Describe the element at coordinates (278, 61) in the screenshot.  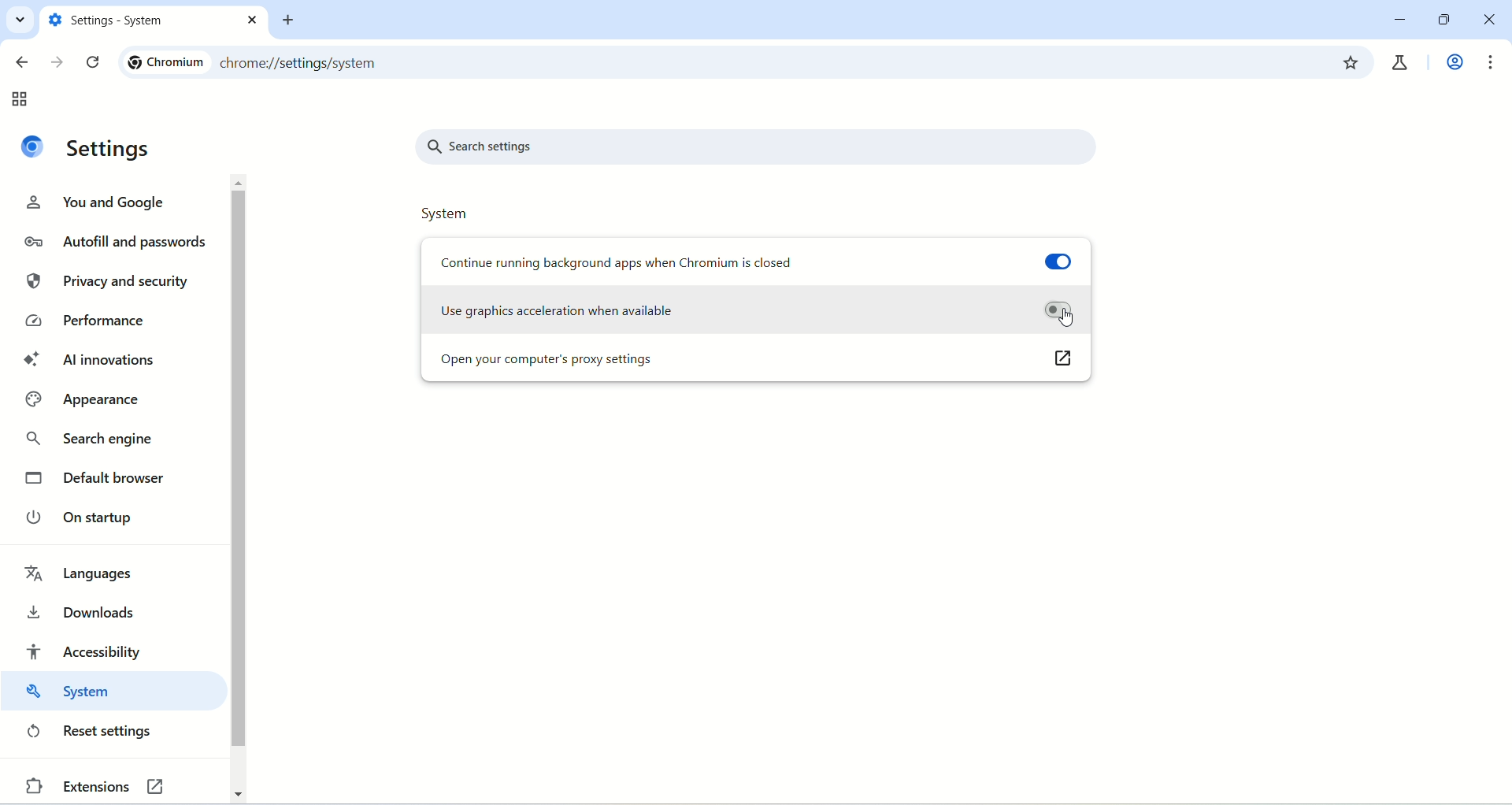
I see `Chromium  chrome://settings/system` at that location.